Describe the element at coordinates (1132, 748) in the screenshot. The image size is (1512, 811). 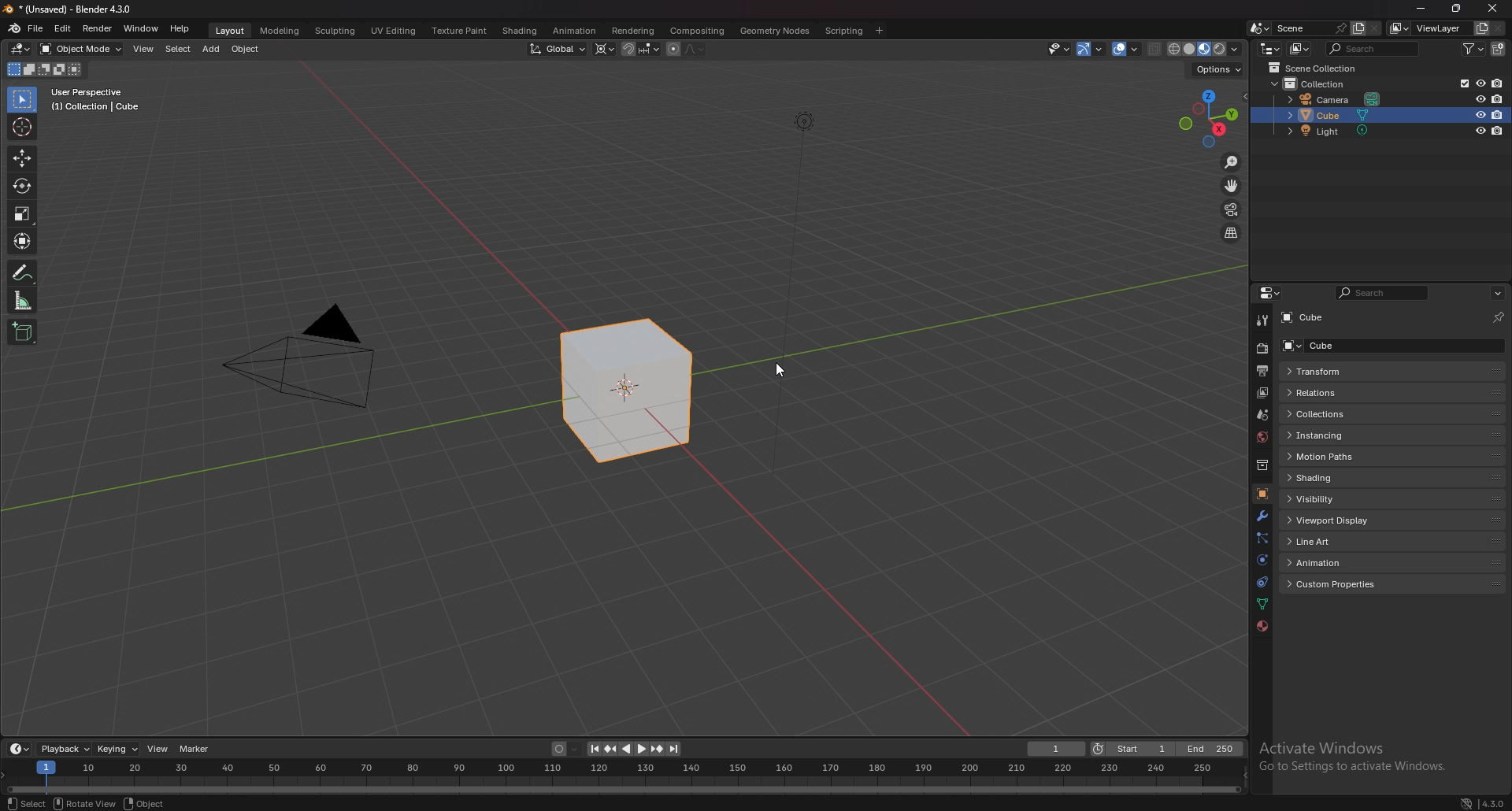
I see `start frame` at that location.